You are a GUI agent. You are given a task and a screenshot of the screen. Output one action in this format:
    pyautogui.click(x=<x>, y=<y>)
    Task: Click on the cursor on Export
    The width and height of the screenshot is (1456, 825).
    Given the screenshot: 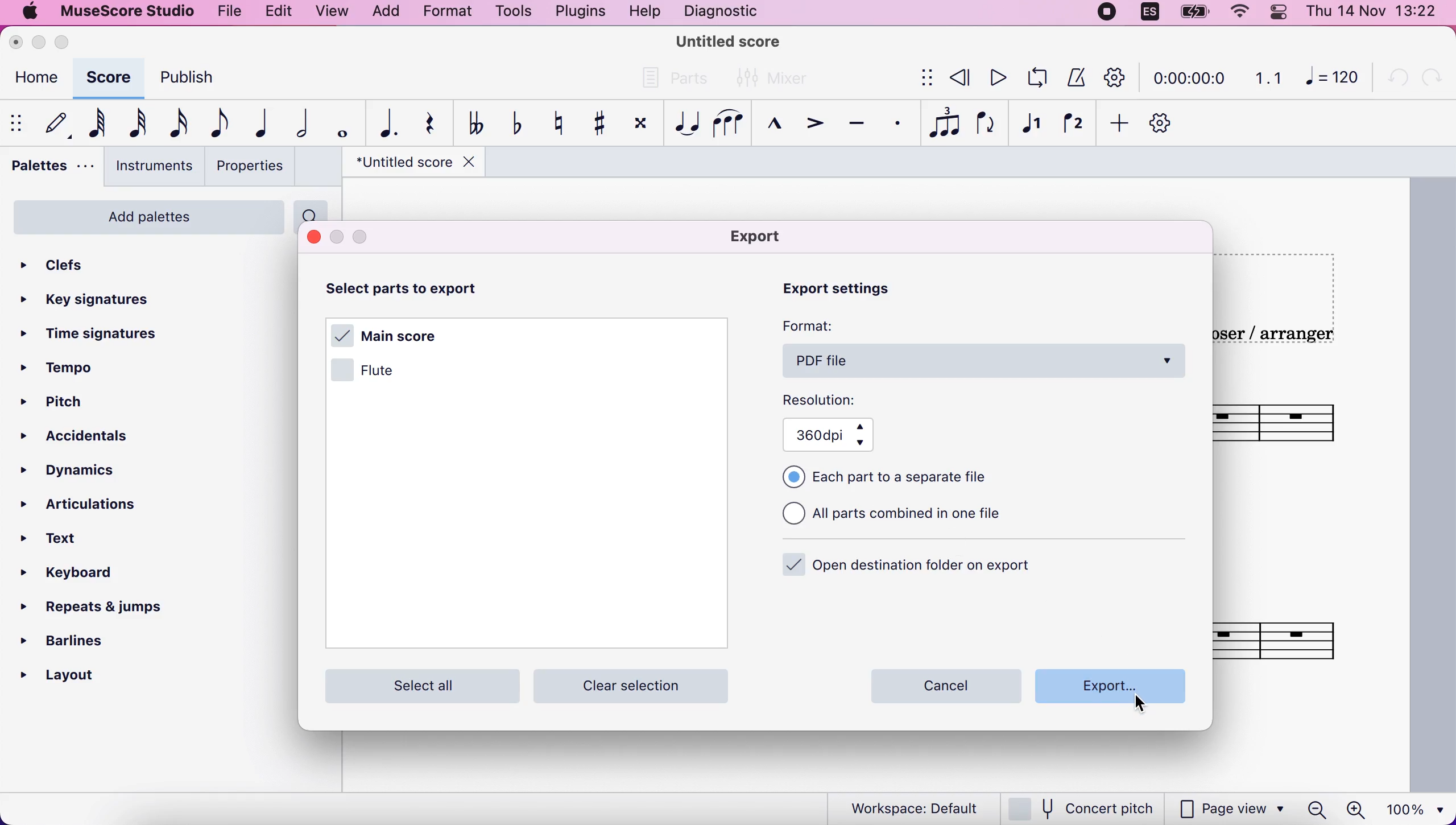 What is the action you would take?
    pyautogui.click(x=1144, y=706)
    